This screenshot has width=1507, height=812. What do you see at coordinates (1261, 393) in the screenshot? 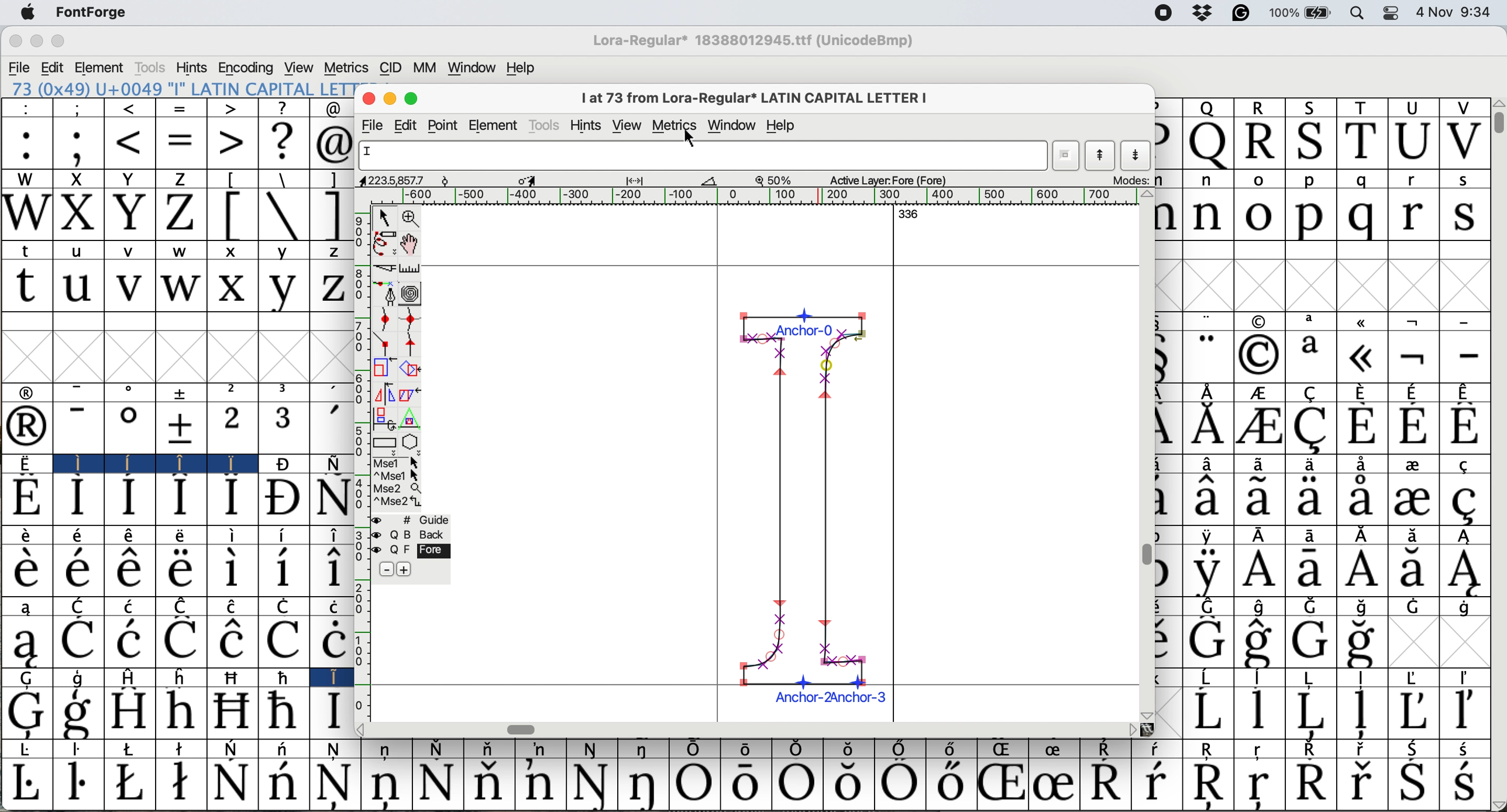
I see `Symbol` at bounding box center [1261, 393].